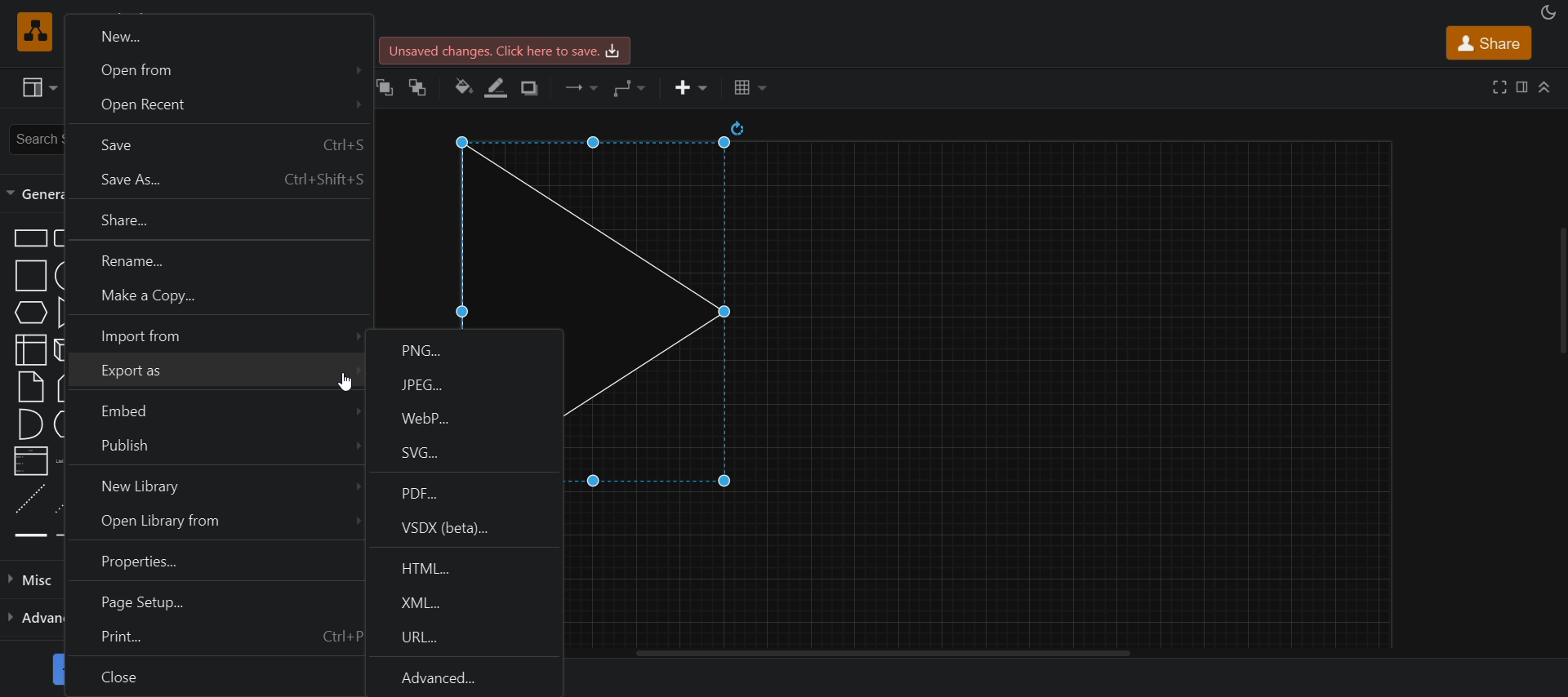  What do you see at coordinates (30, 238) in the screenshot?
I see `rectangle` at bounding box center [30, 238].